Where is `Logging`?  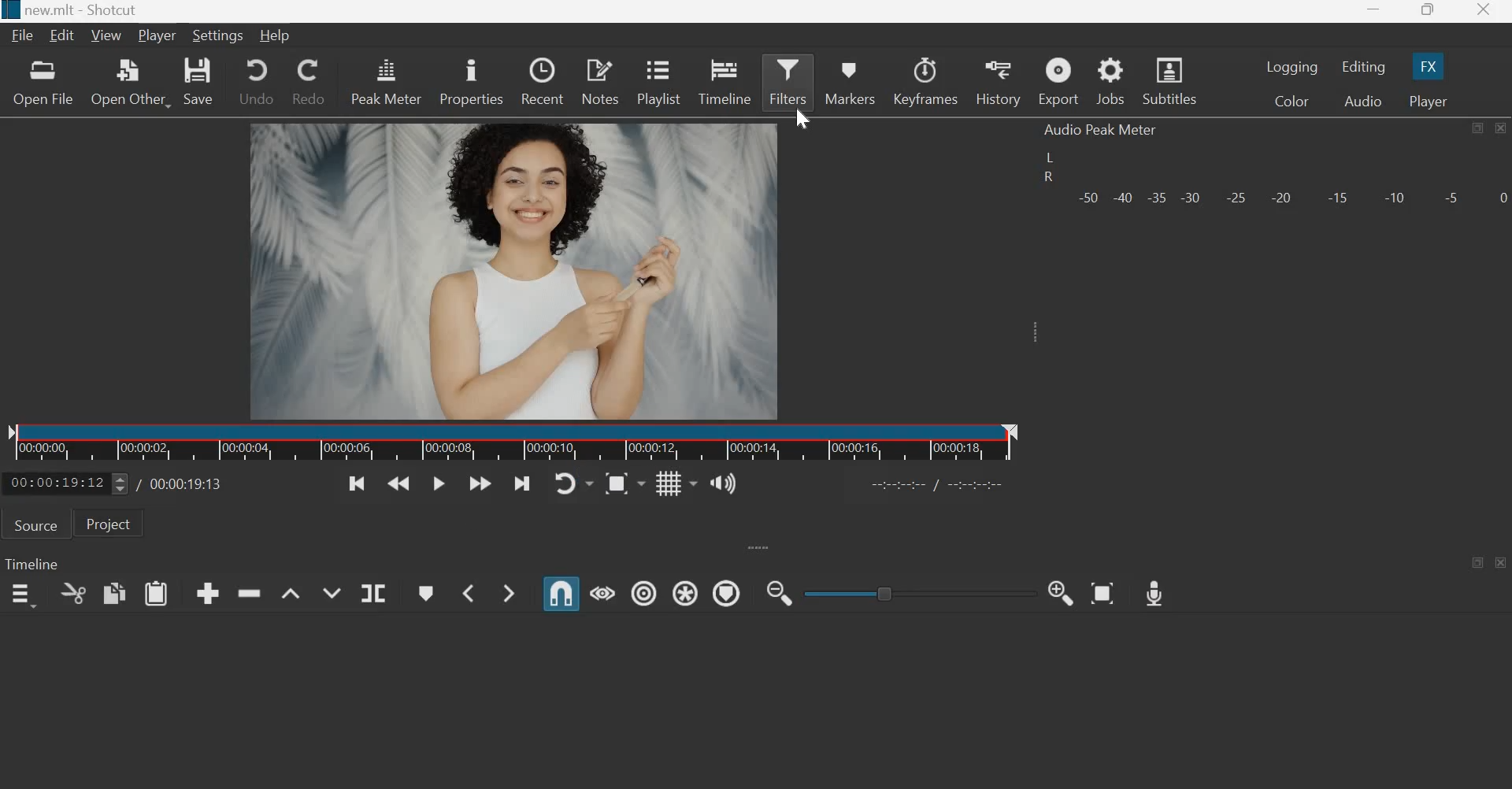
Logging is located at coordinates (1293, 67).